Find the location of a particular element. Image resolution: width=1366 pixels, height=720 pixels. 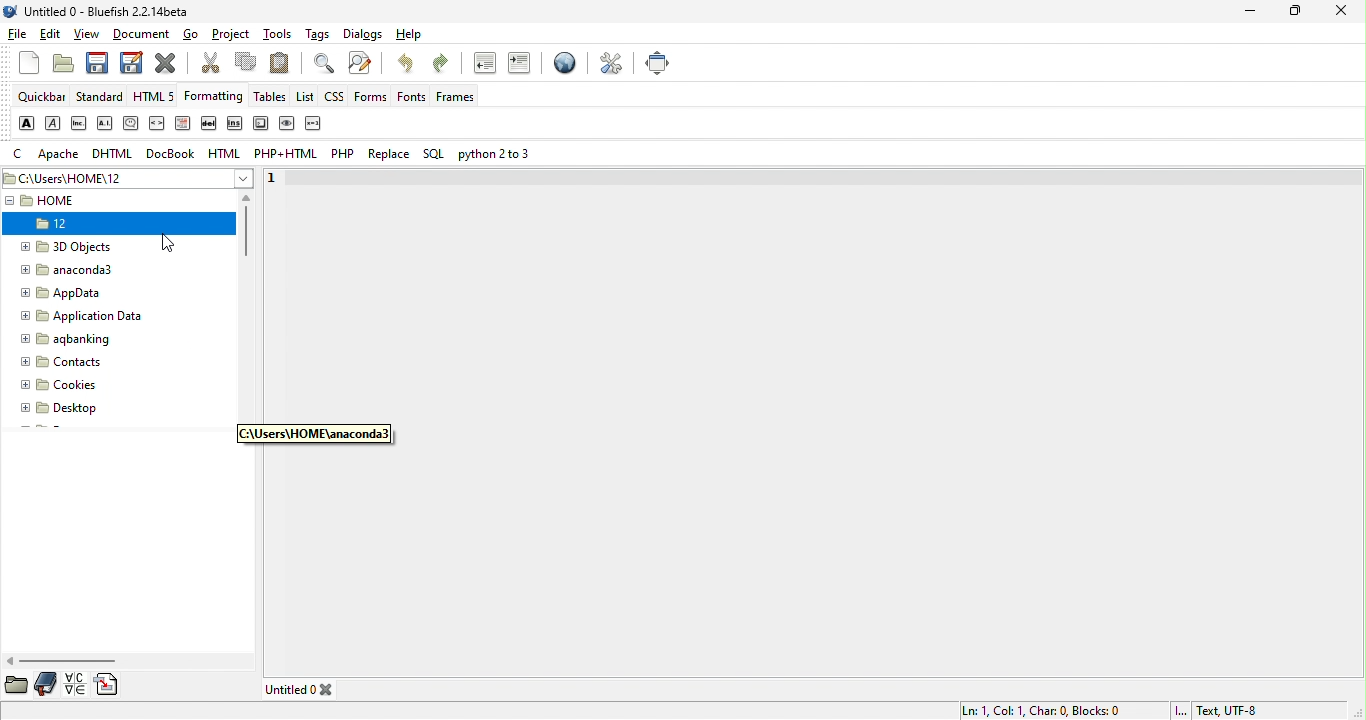

citation is located at coordinates (129, 124).